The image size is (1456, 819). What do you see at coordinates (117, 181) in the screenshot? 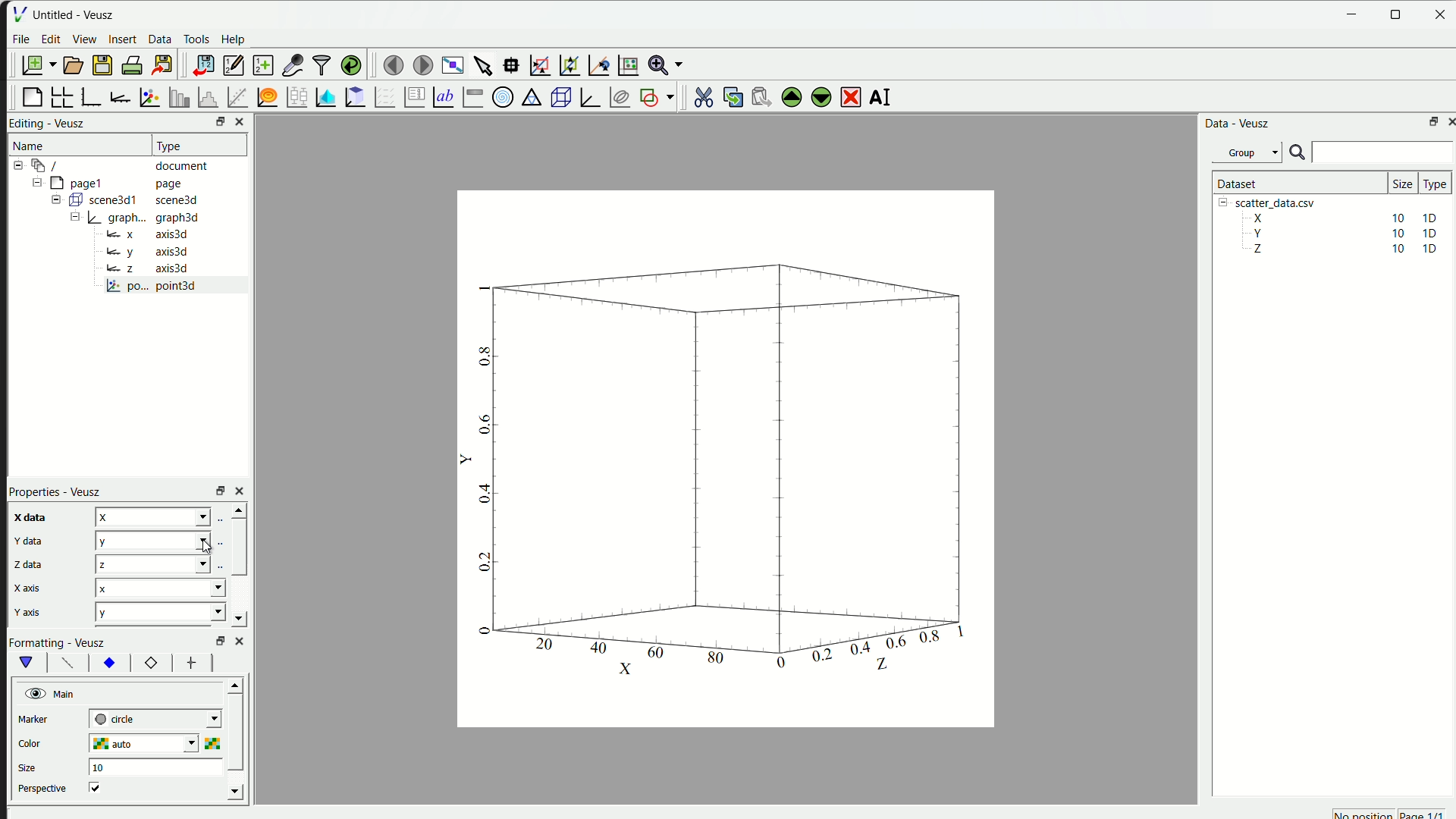
I see `= [MY pagel page` at bounding box center [117, 181].